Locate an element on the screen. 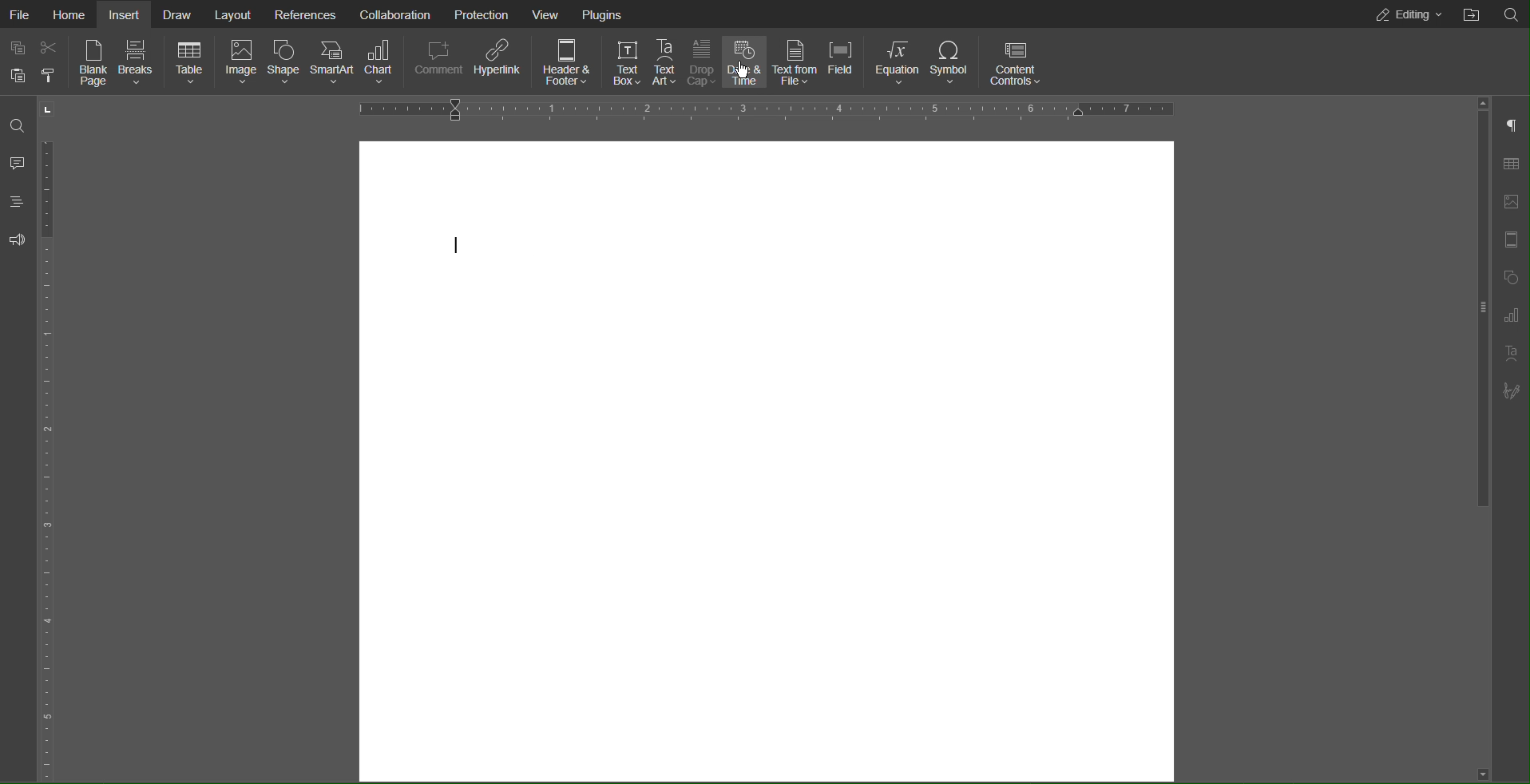 Image resolution: width=1530 pixels, height=784 pixels. Drop Cap is located at coordinates (702, 59).